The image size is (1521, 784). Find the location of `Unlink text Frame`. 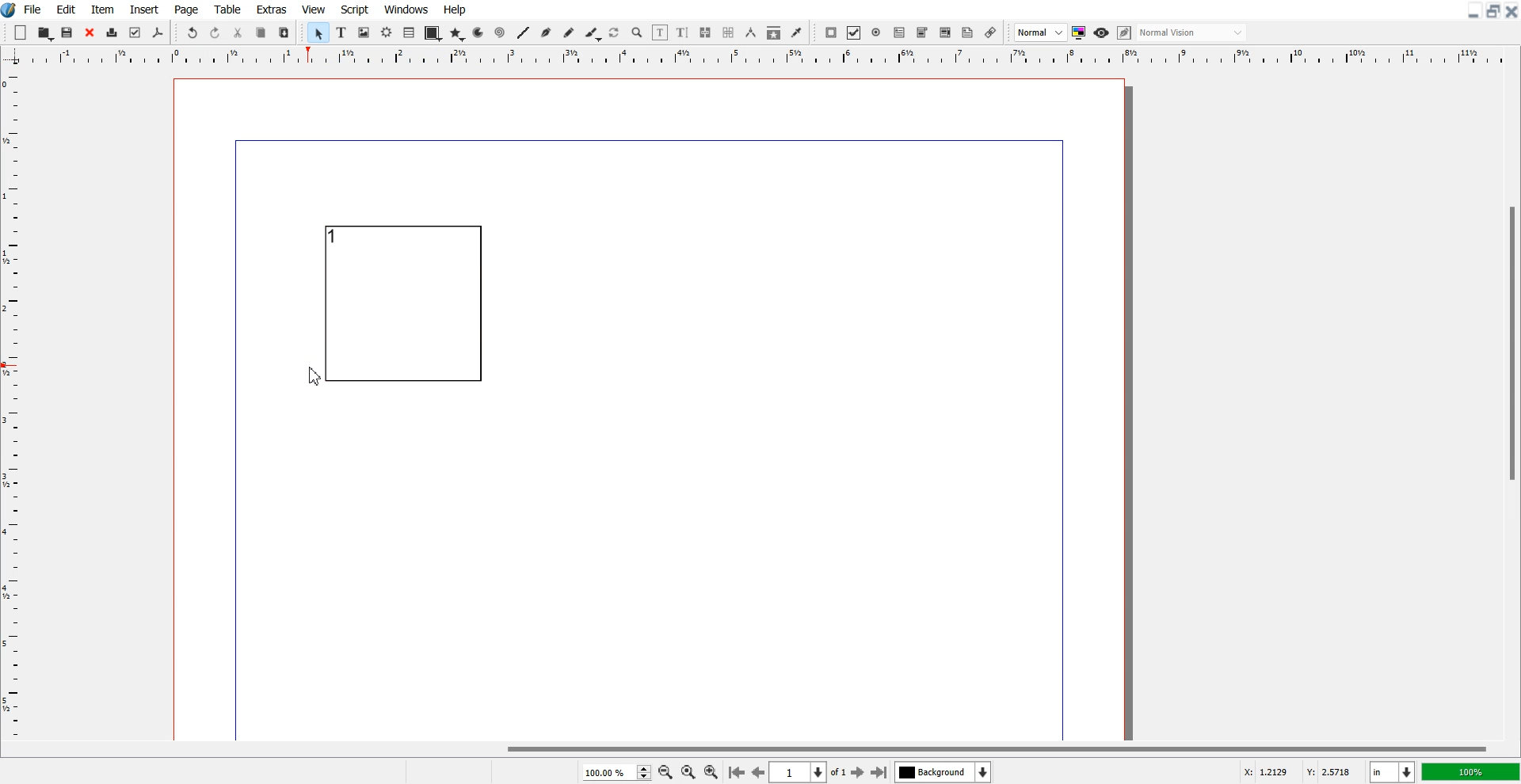

Unlink text Frame is located at coordinates (729, 33).